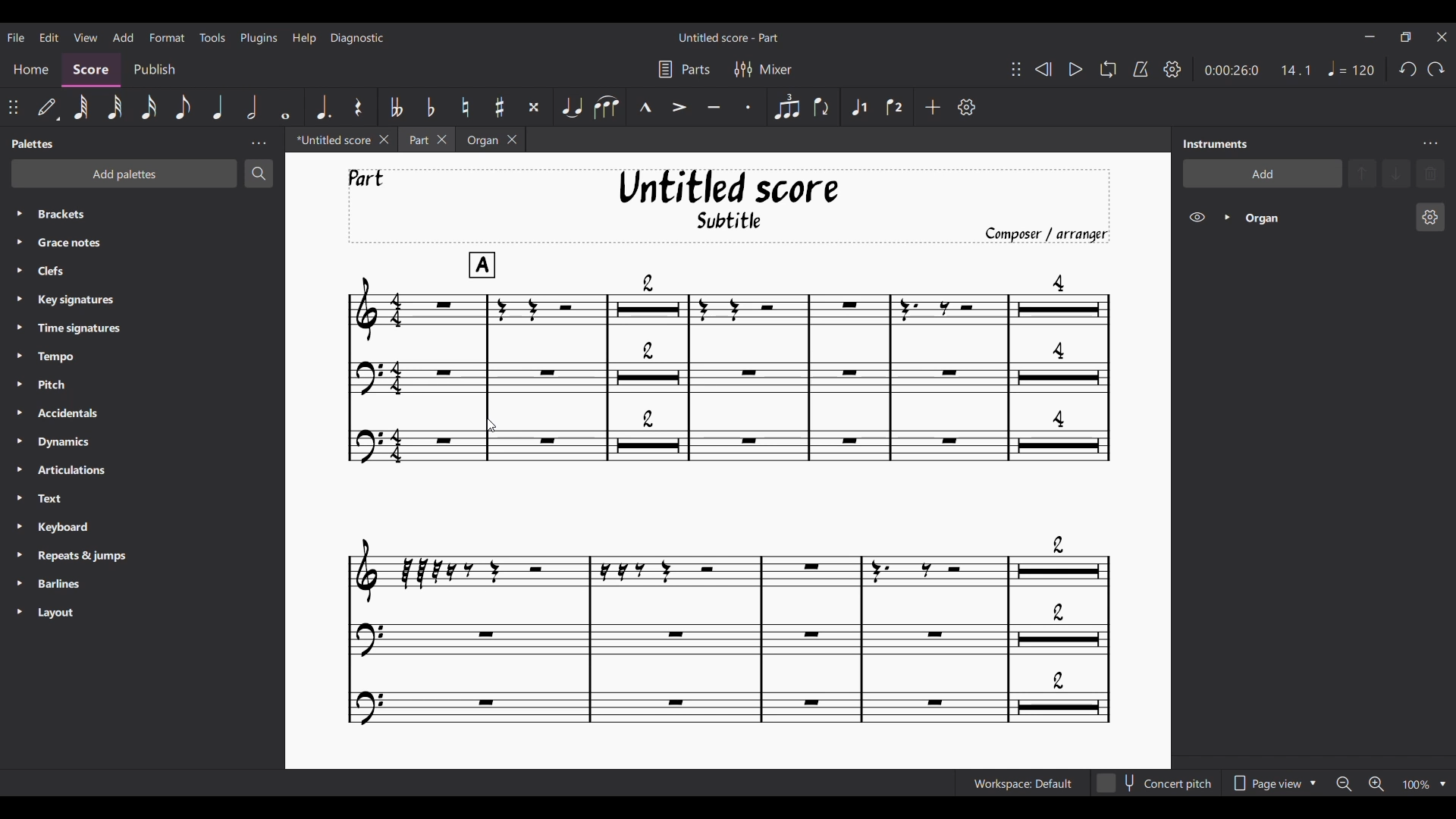  I want to click on Quarter note, so click(1352, 68).